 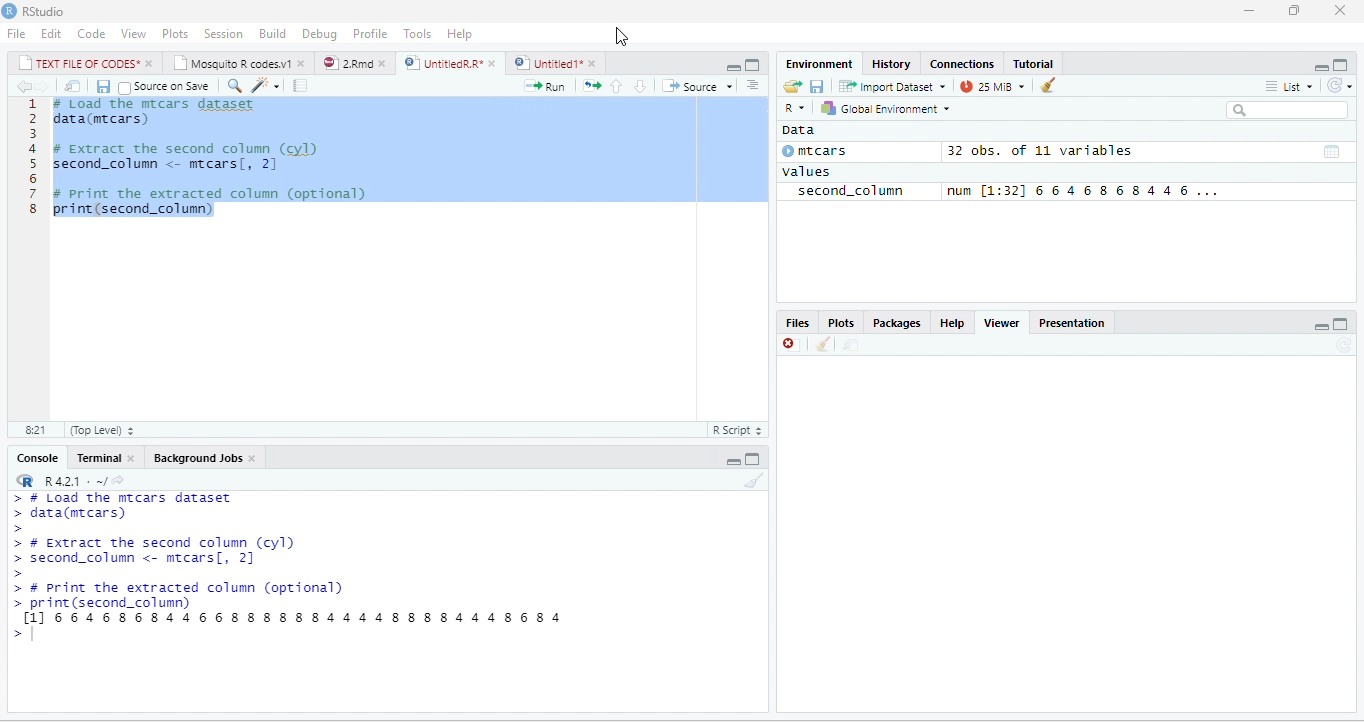 What do you see at coordinates (9, 11) in the screenshot?
I see `RStudio logo` at bounding box center [9, 11].